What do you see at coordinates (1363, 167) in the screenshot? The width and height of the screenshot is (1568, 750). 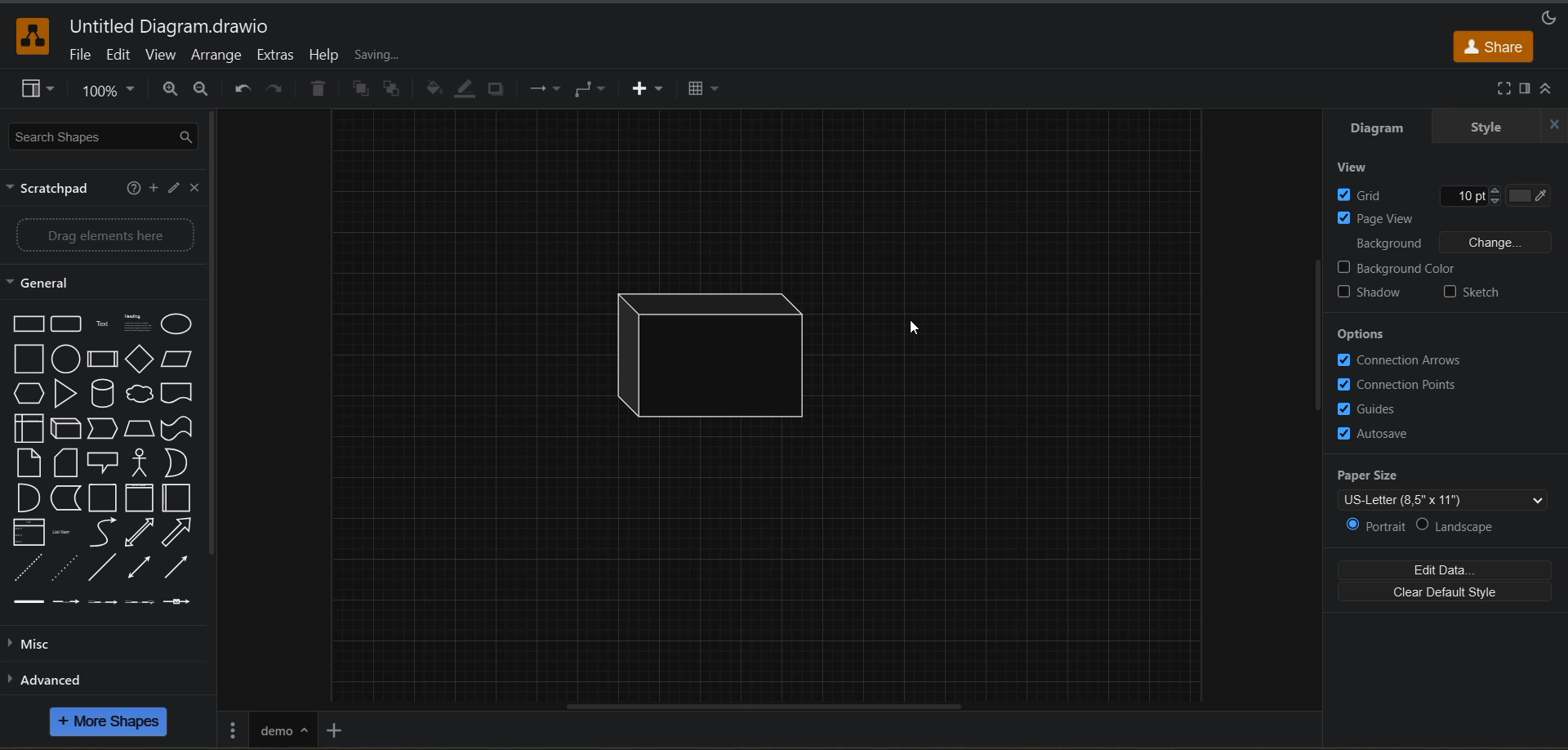 I see `view` at bounding box center [1363, 167].